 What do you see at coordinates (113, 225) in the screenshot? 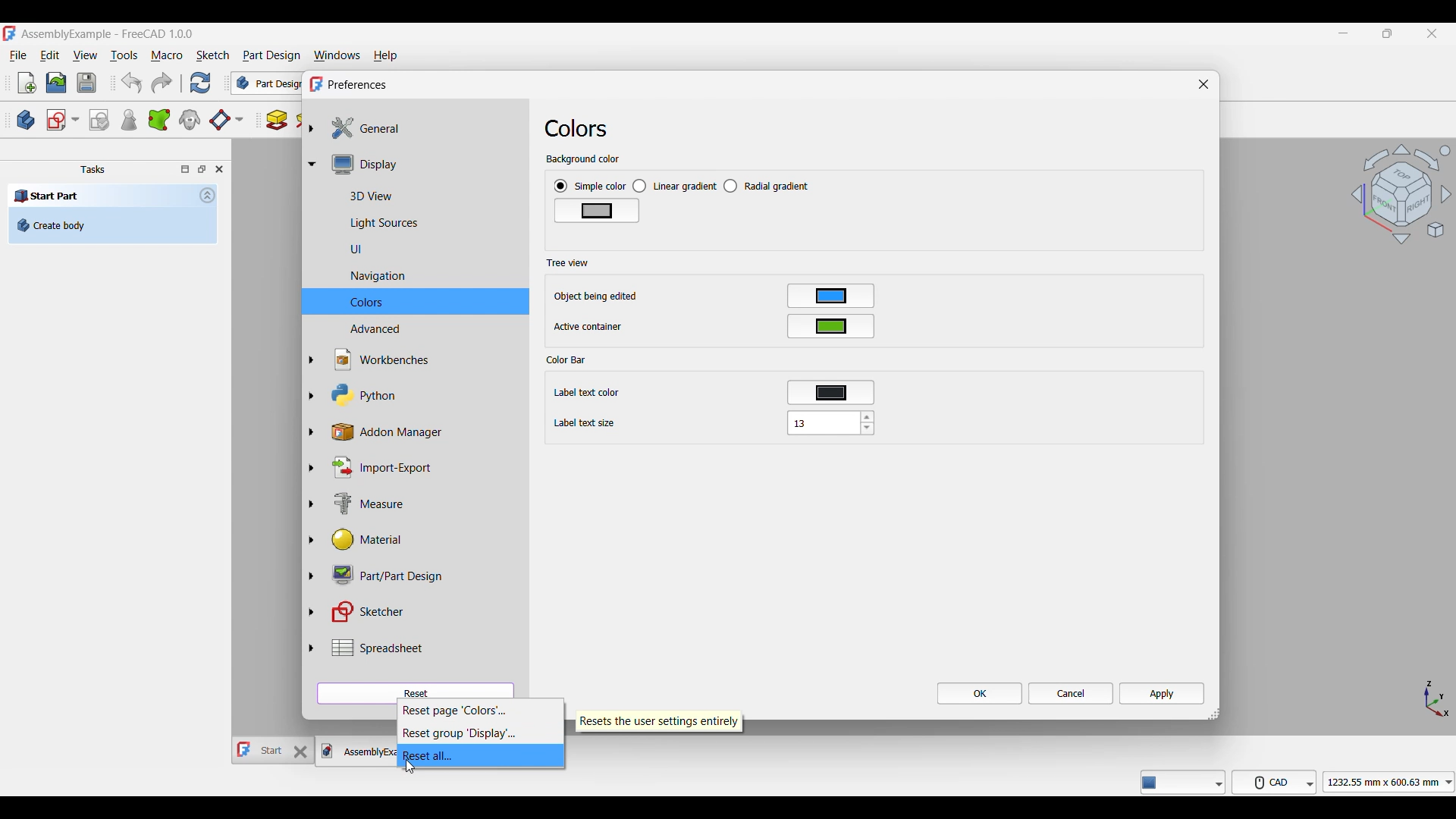
I see `Create body` at bounding box center [113, 225].